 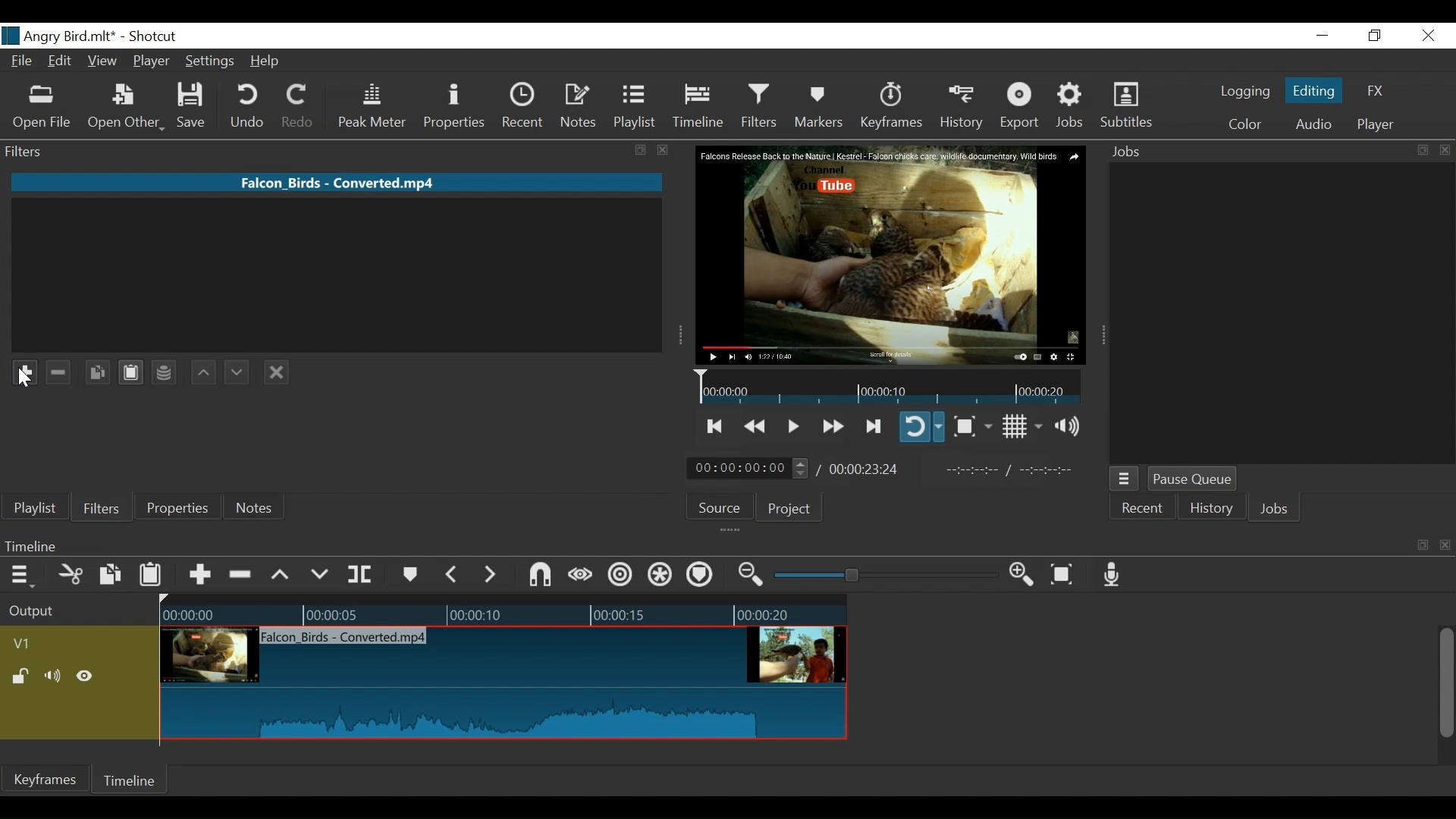 What do you see at coordinates (504, 684) in the screenshot?
I see `Video track clip` at bounding box center [504, 684].